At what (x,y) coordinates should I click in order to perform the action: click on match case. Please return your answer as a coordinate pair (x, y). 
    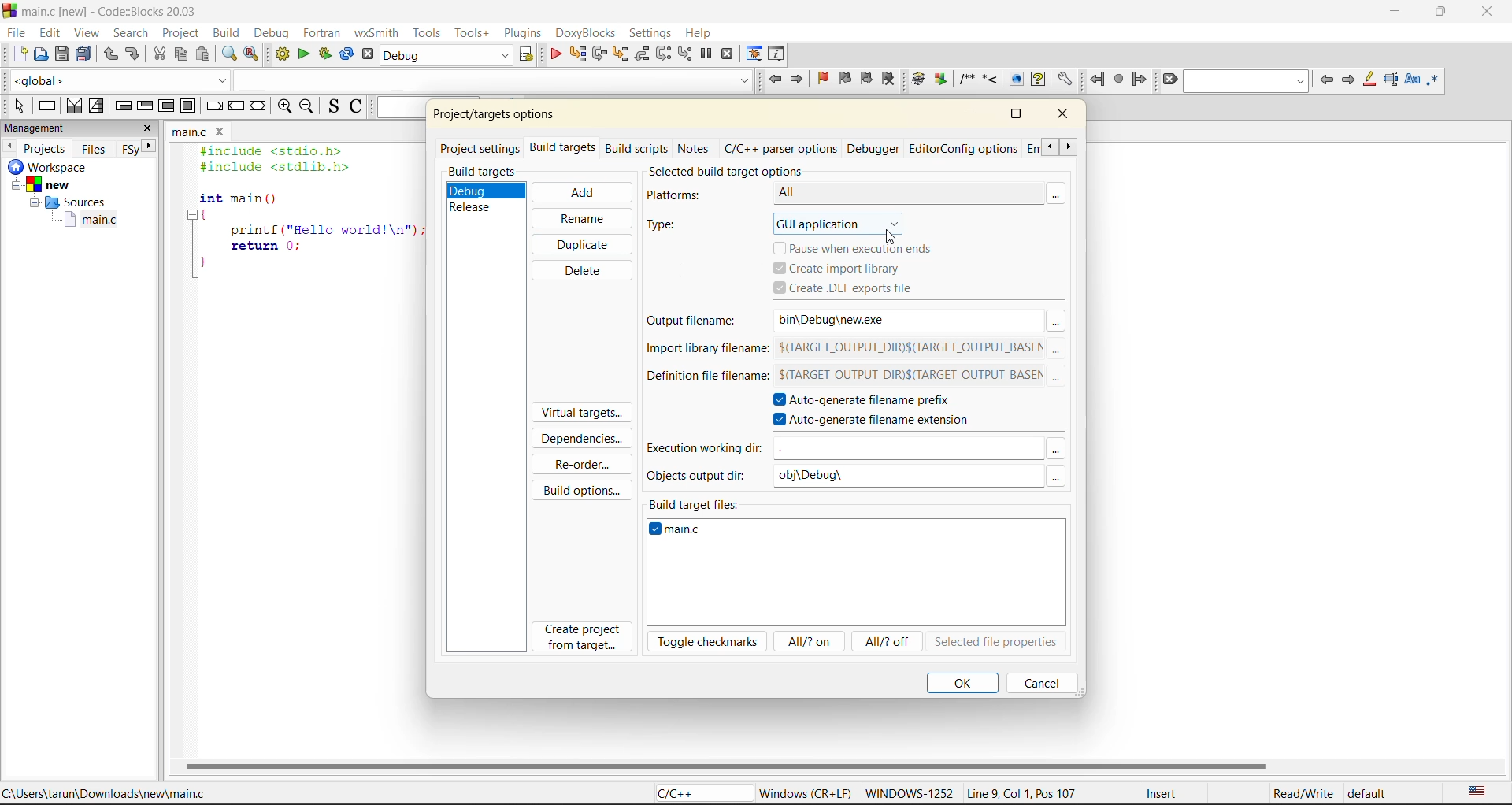
    Looking at the image, I should click on (1413, 80).